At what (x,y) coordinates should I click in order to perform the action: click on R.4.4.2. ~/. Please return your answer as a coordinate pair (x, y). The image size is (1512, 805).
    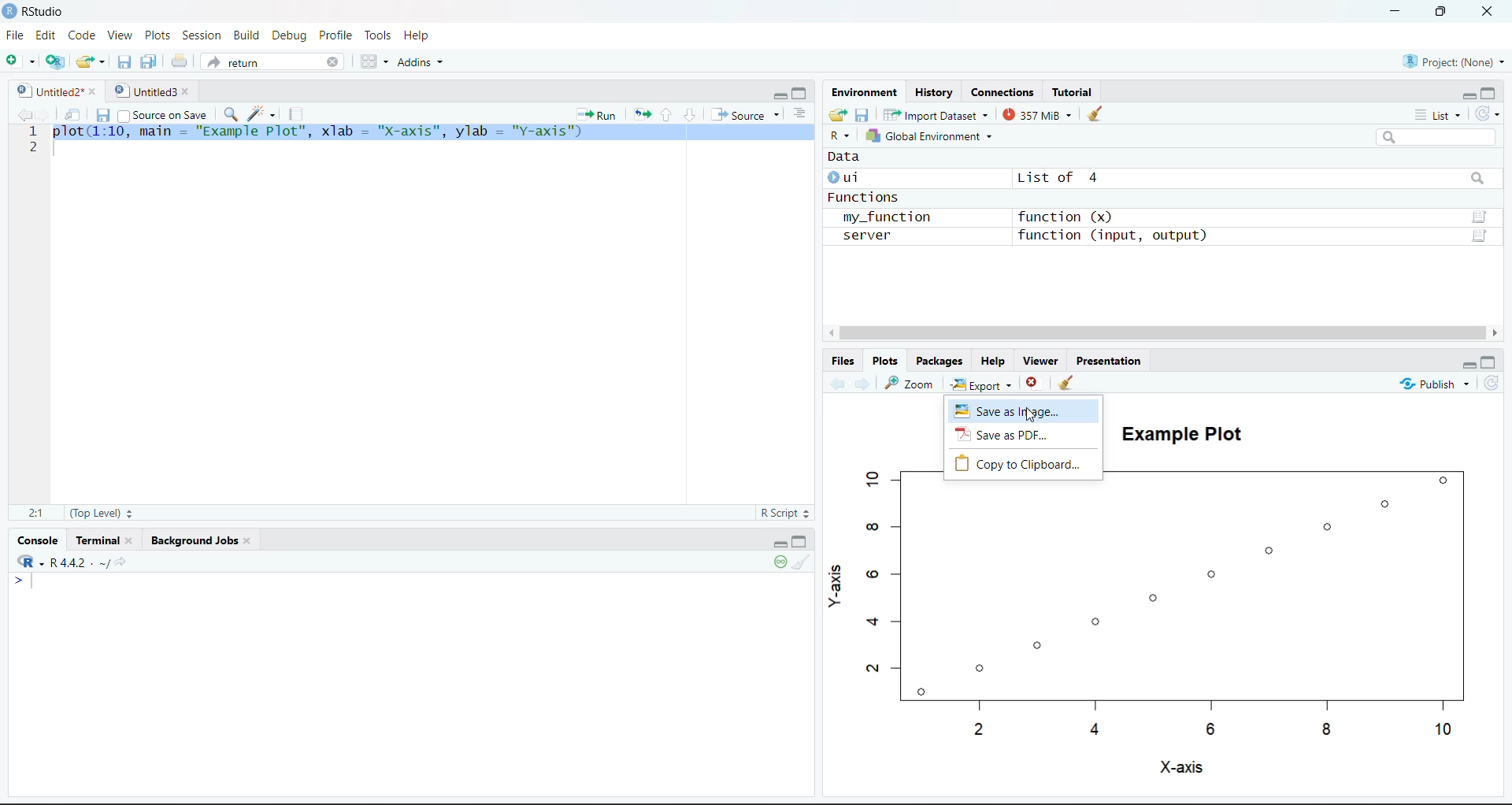
    Looking at the image, I should click on (74, 562).